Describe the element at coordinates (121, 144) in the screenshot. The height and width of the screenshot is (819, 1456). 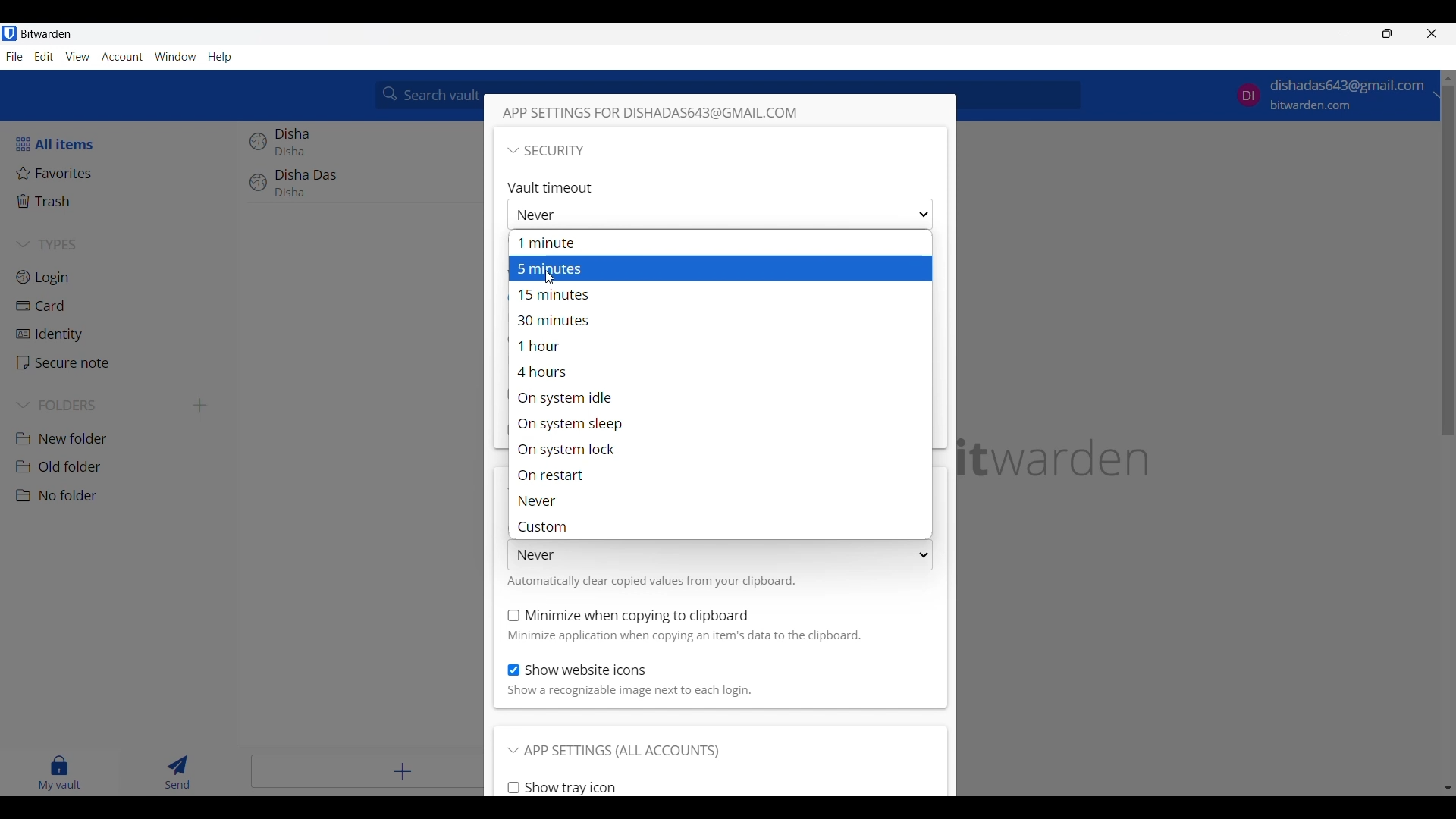
I see `All items` at that location.